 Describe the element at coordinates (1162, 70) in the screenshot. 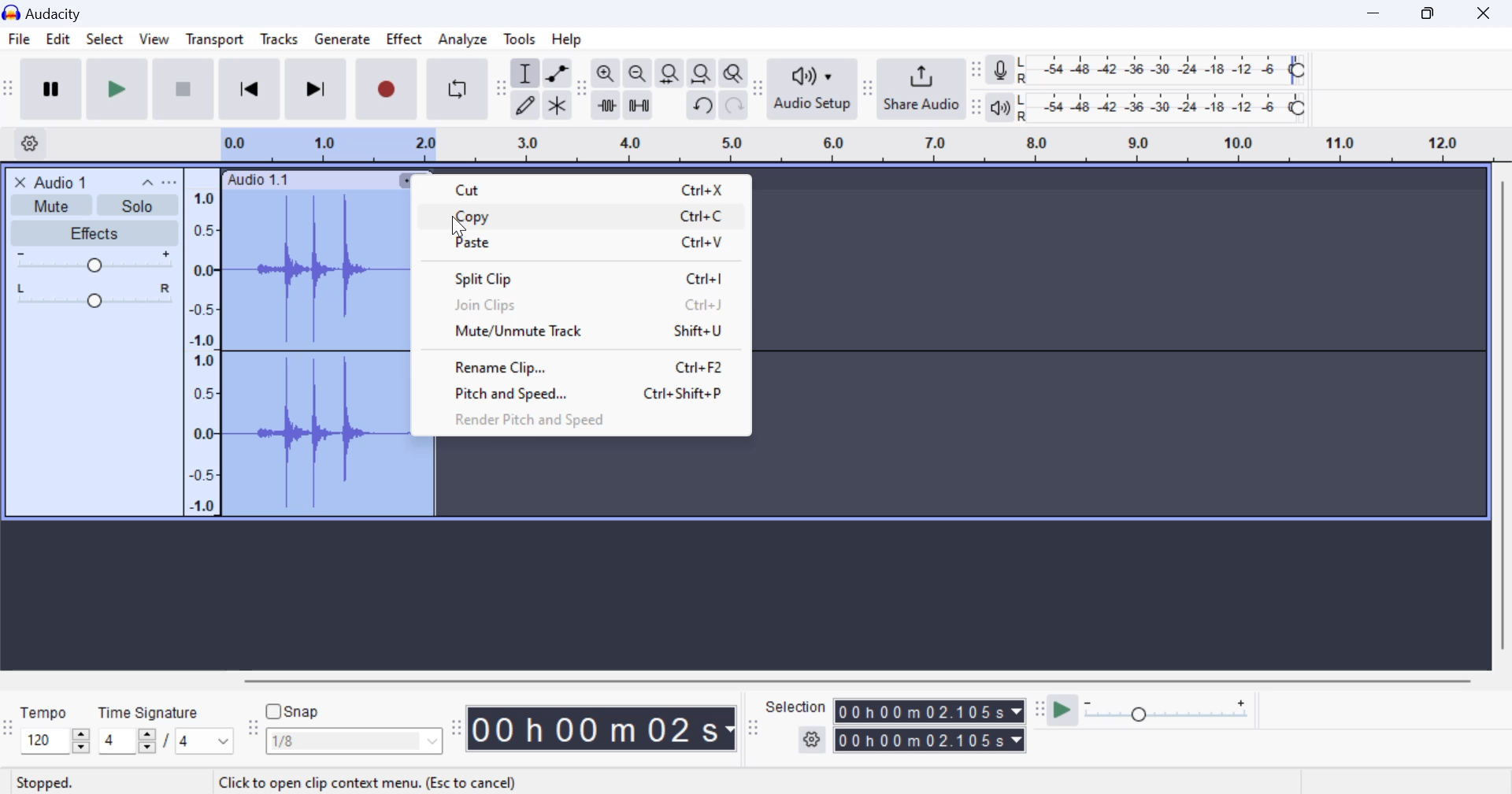

I see `Recording Level` at that location.